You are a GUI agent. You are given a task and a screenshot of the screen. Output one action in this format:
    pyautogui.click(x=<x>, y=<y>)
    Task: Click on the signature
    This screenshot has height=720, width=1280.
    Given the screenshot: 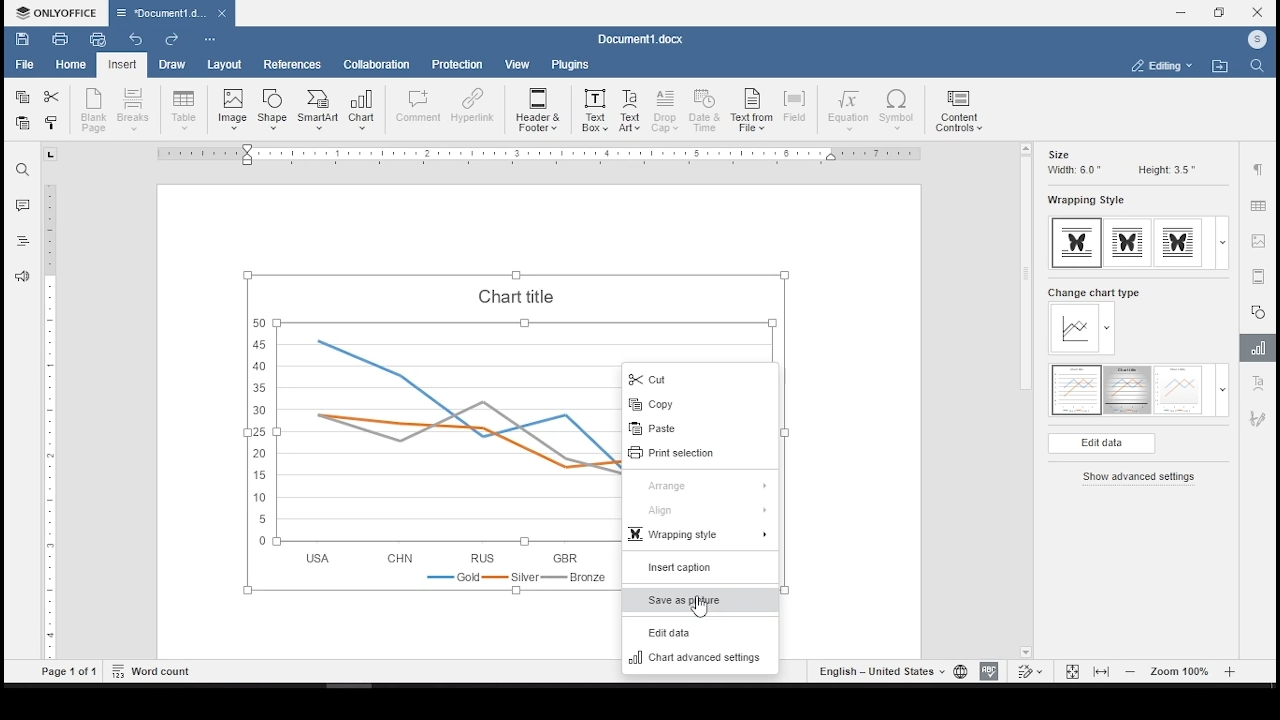 What is the action you would take?
    pyautogui.click(x=1260, y=418)
    